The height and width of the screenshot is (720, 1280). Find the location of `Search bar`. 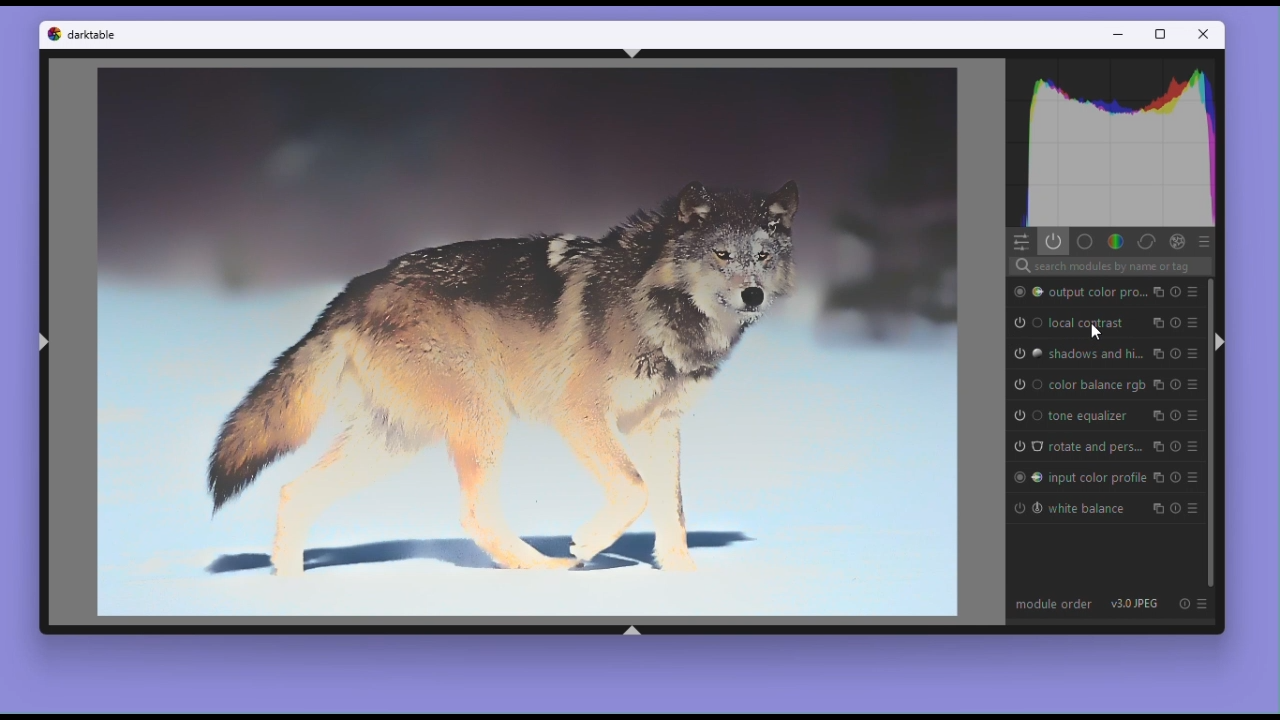

Search bar is located at coordinates (1111, 265).